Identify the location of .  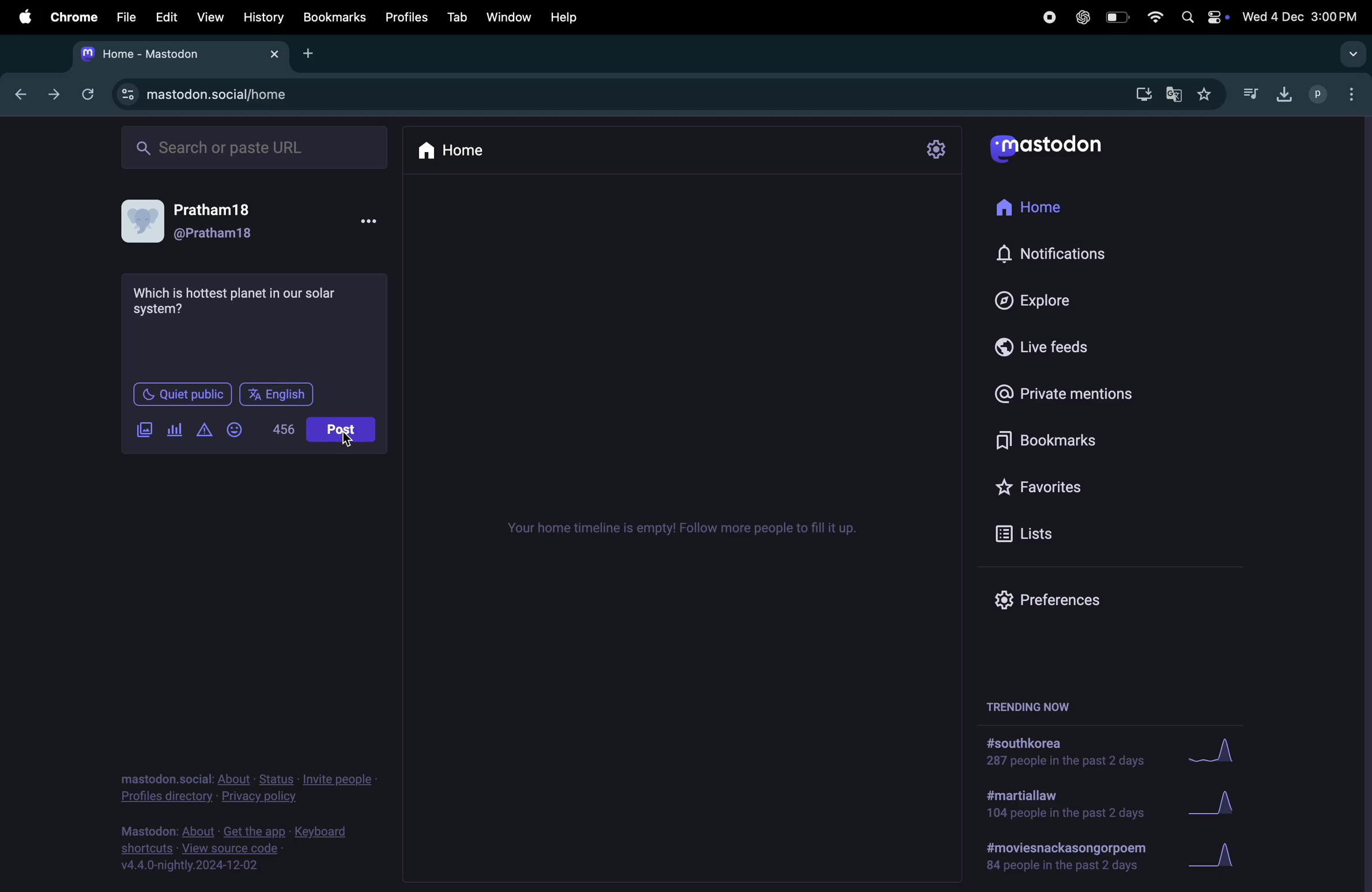
(1081, 17).